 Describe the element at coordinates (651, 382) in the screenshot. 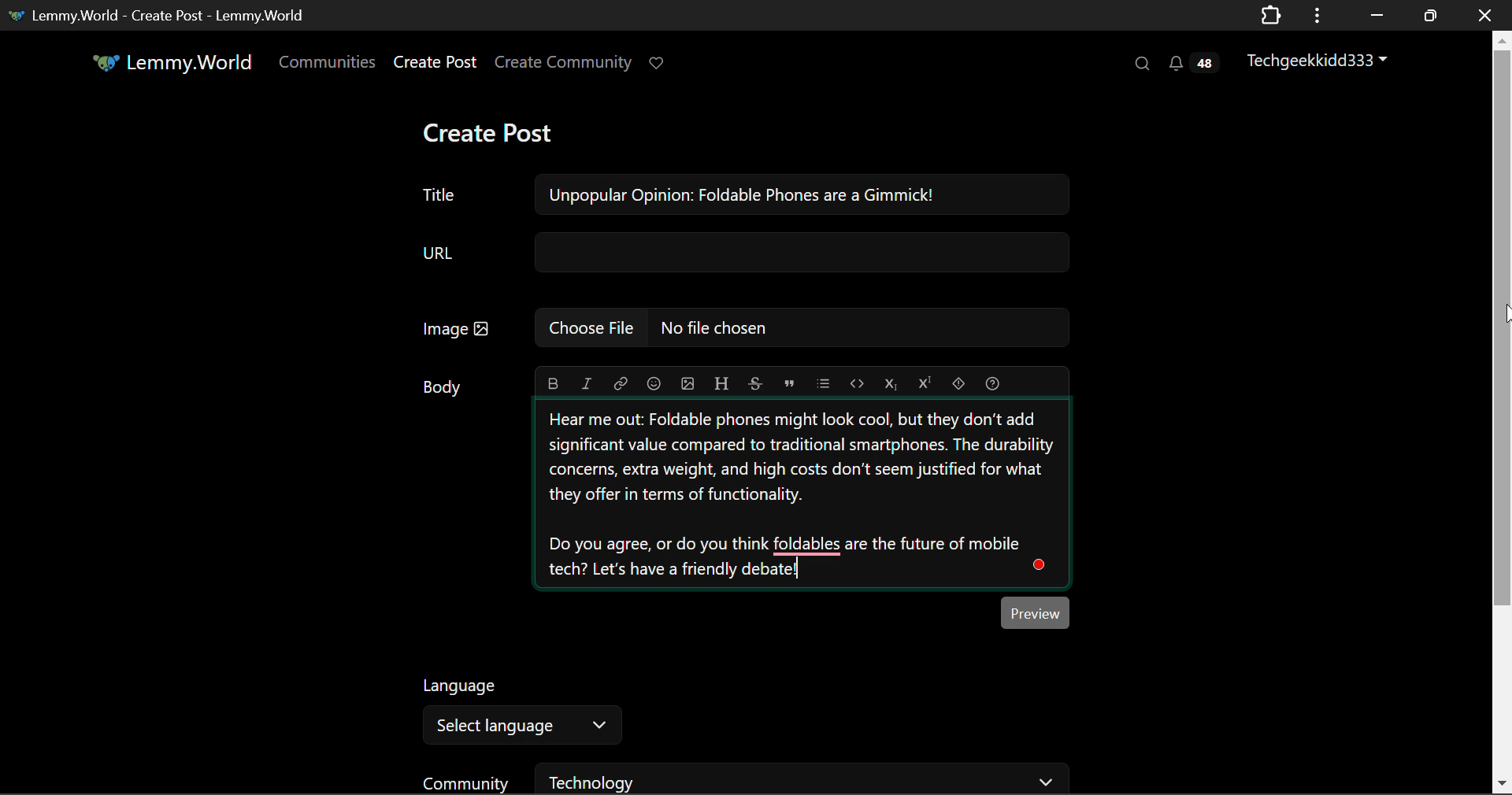

I see `emoji` at that location.